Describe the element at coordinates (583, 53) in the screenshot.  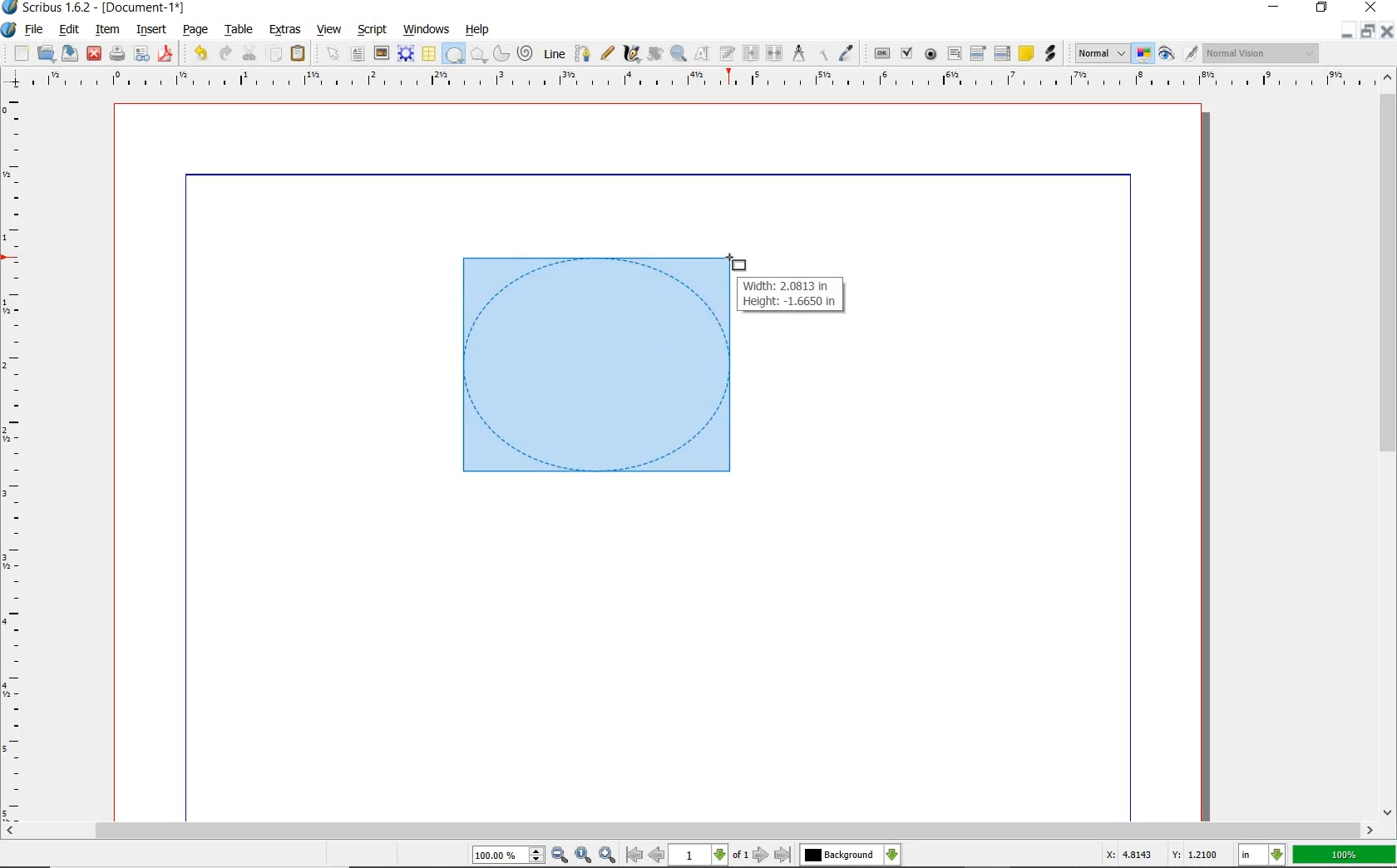
I see `BEZIER CURVE` at that location.